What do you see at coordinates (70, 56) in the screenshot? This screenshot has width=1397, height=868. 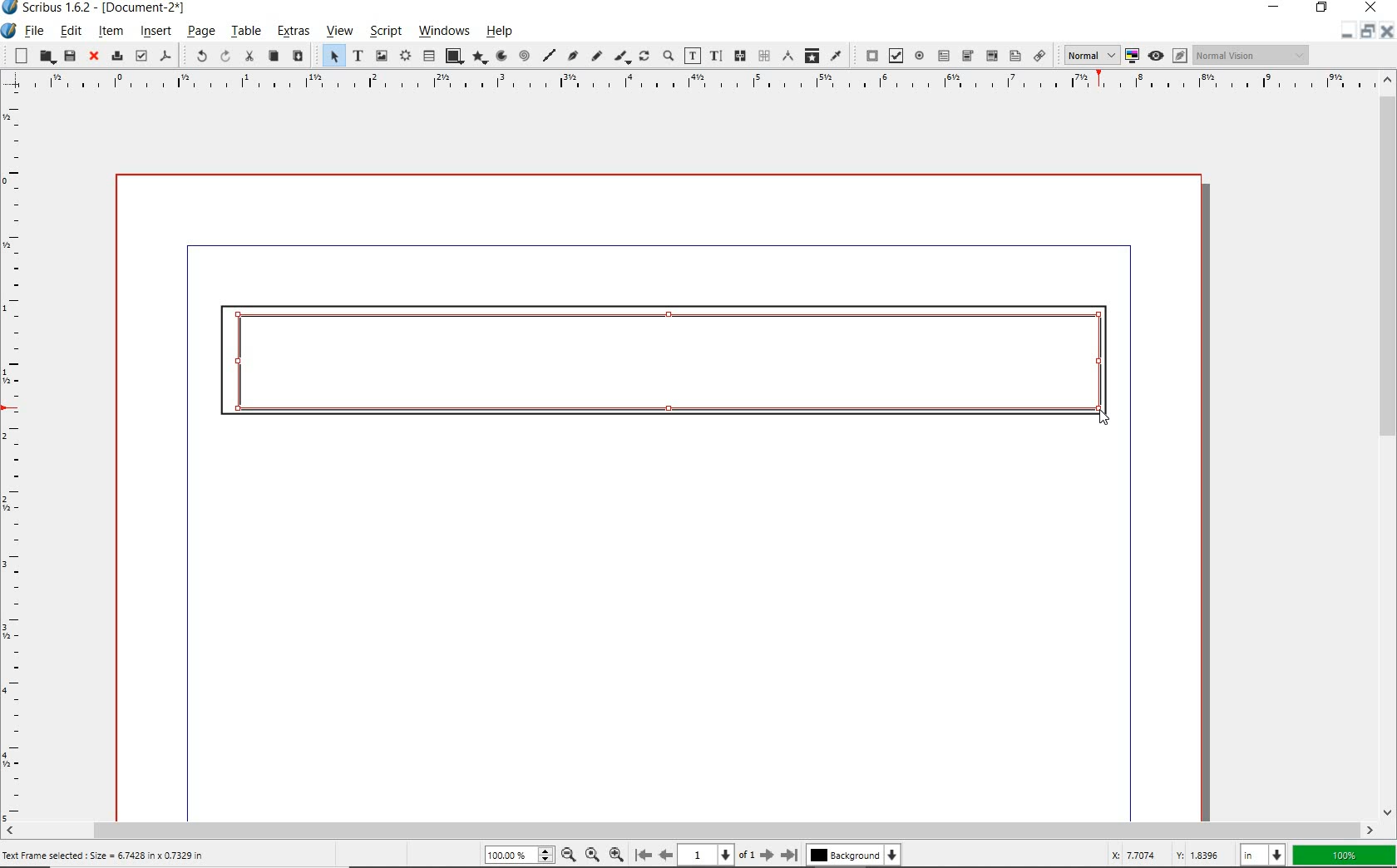 I see `save` at bounding box center [70, 56].